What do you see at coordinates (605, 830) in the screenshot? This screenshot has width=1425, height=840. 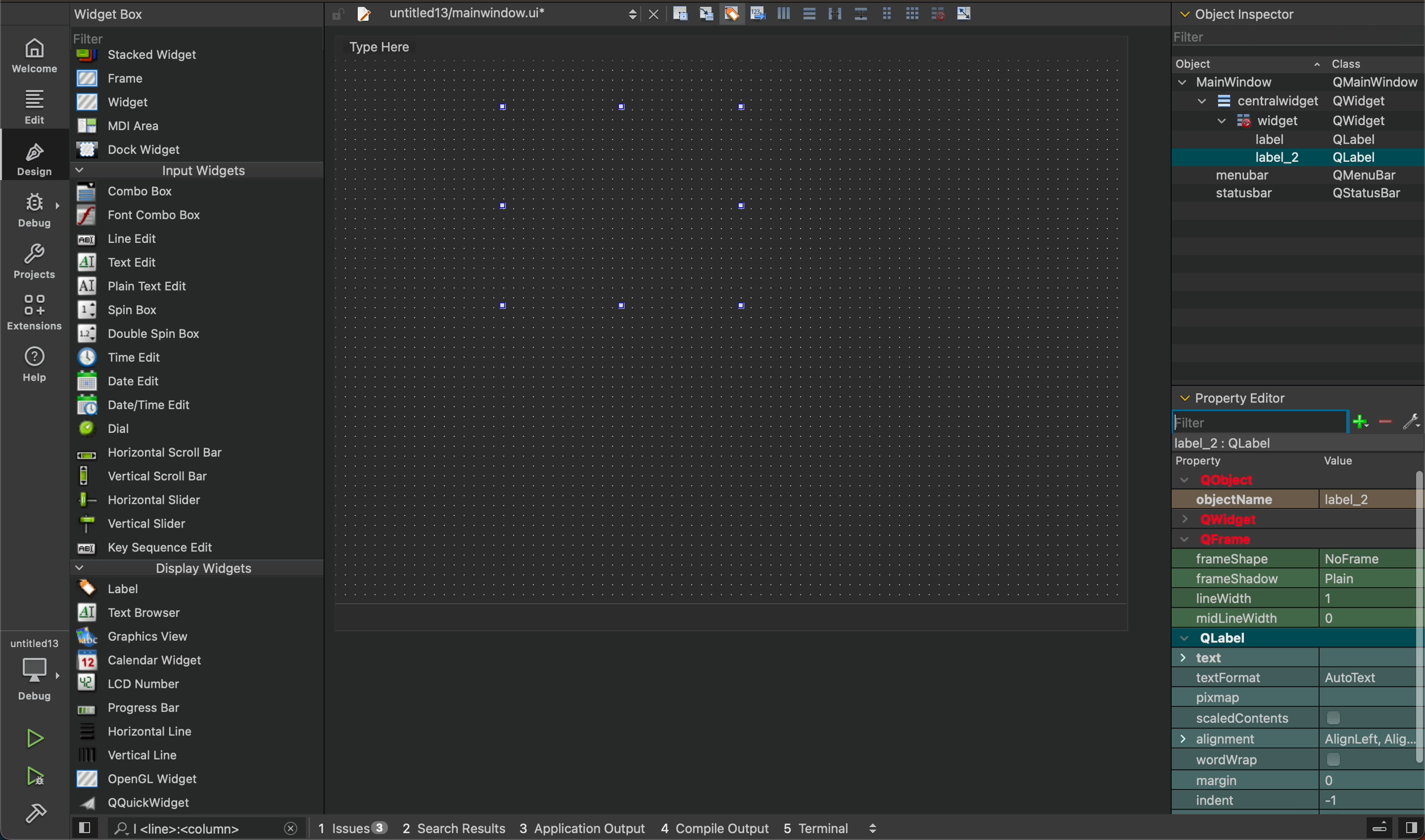 I see `logs` at bounding box center [605, 830].